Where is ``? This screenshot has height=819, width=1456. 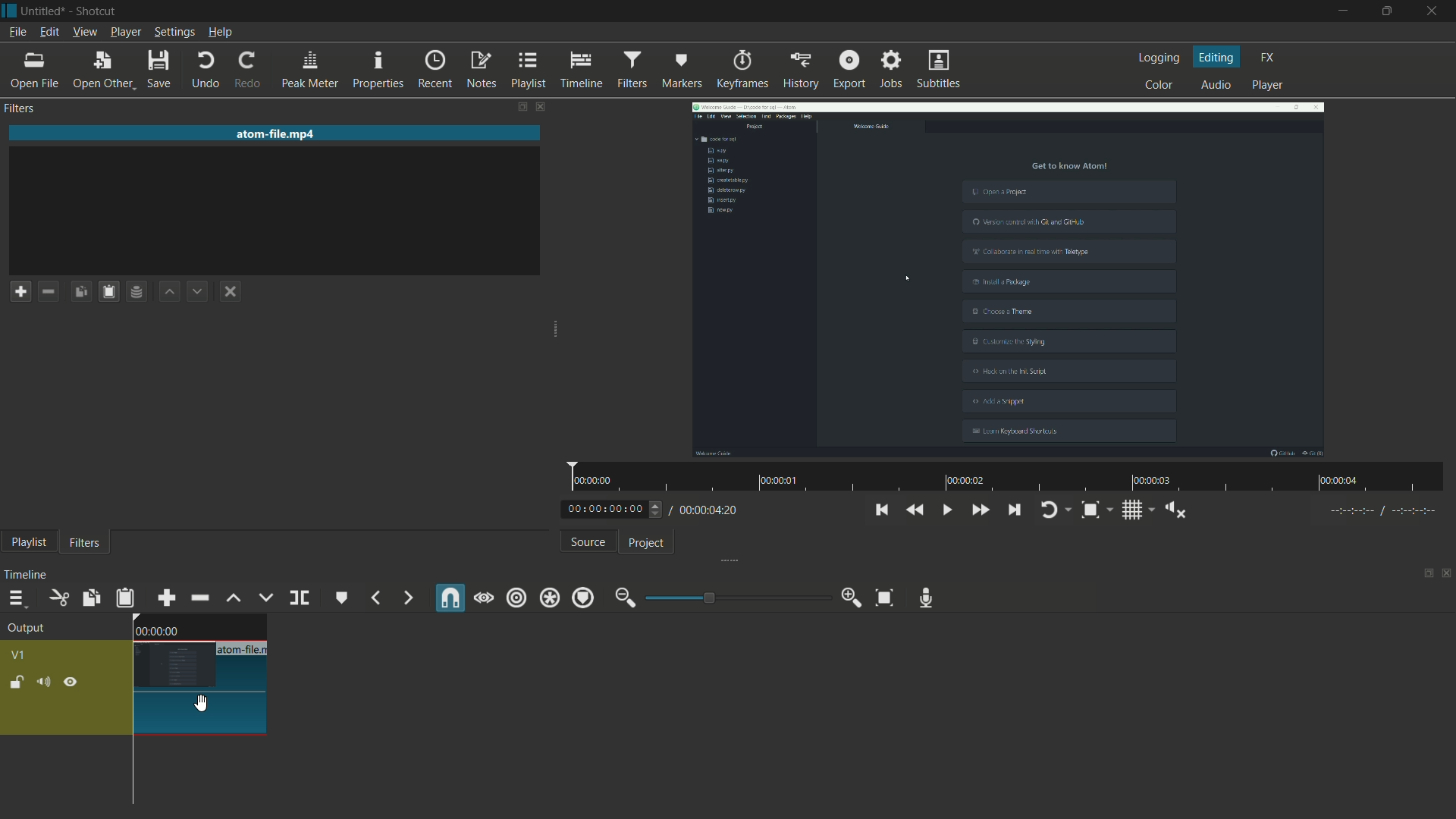
 is located at coordinates (10, 11).